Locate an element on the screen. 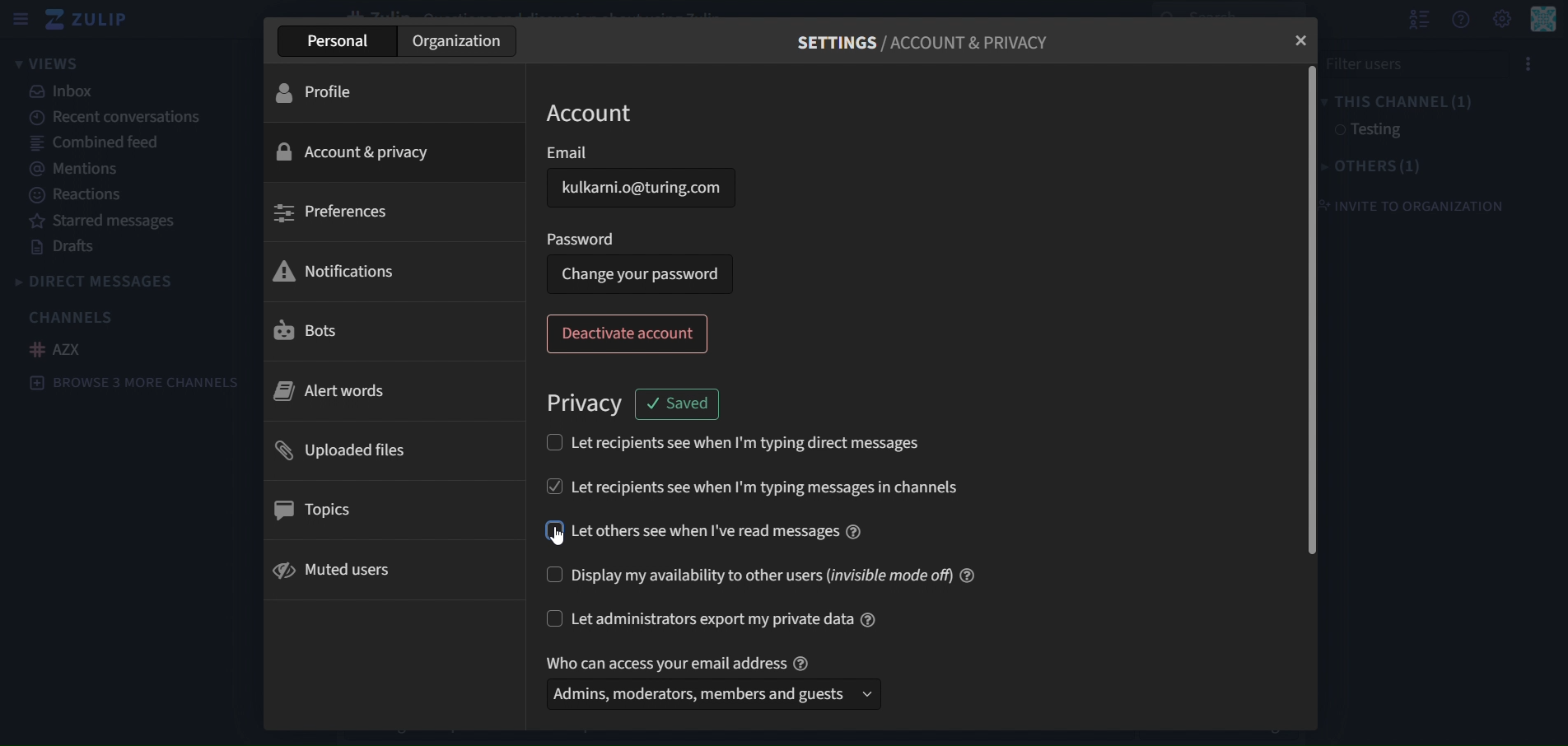 This screenshot has height=746, width=1568. lert words is located at coordinates (331, 394).